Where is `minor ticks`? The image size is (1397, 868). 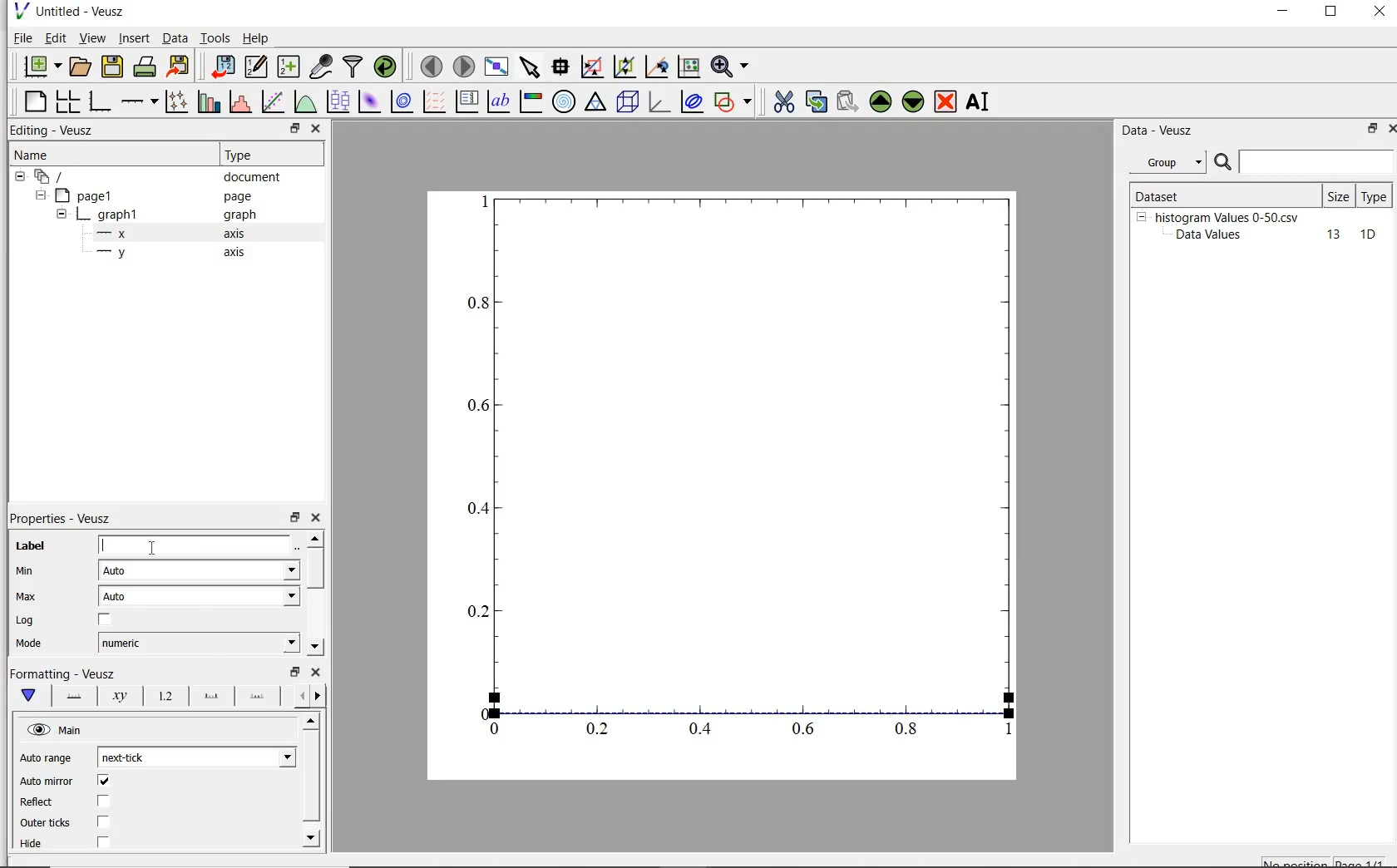
minor ticks is located at coordinates (258, 698).